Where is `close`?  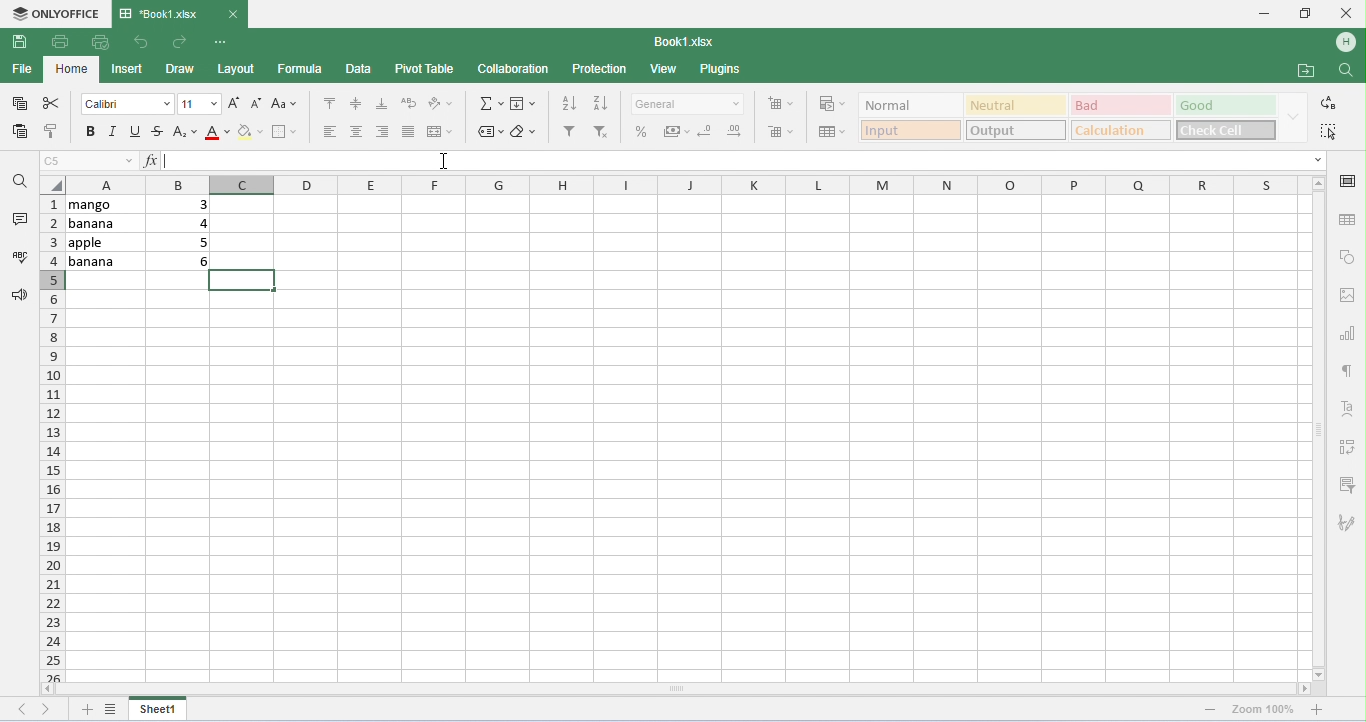
close is located at coordinates (233, 14).